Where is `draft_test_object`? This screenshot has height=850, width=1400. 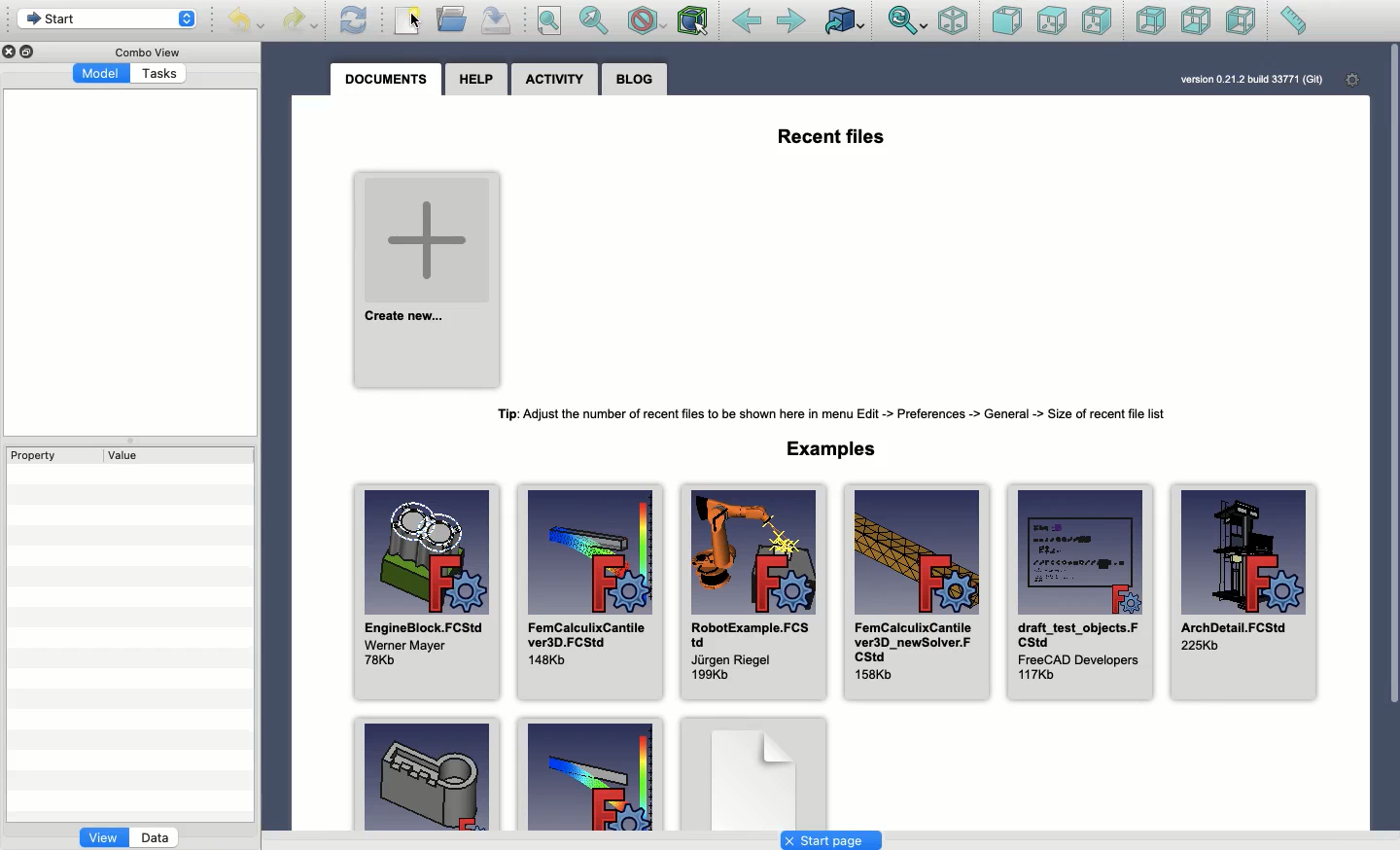
draft_test_object is located at coordinates (1081, 592).